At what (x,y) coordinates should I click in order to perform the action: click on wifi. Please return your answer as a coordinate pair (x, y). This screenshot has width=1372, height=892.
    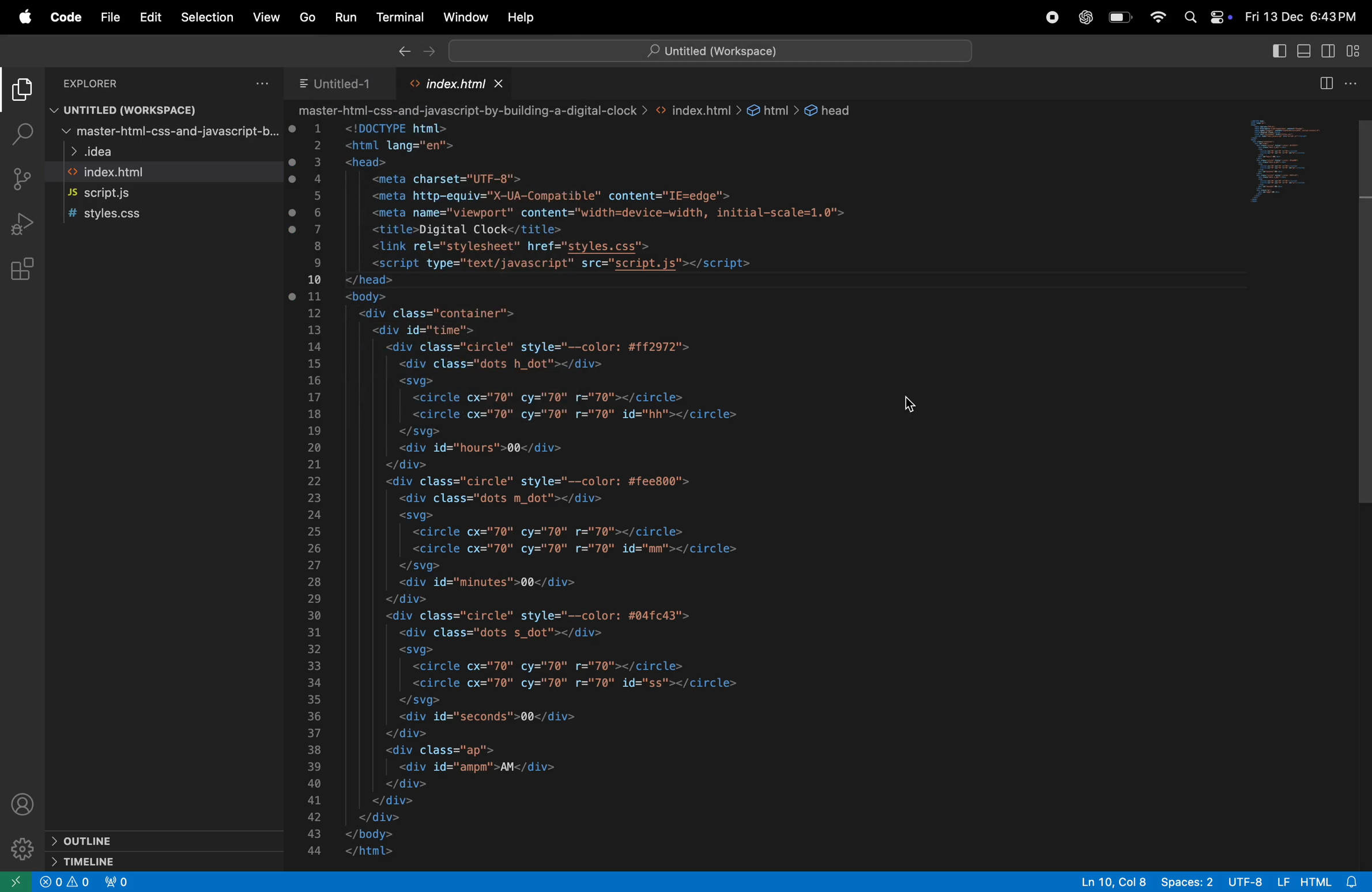
    Looking at the image, I should click on (1159, 17).